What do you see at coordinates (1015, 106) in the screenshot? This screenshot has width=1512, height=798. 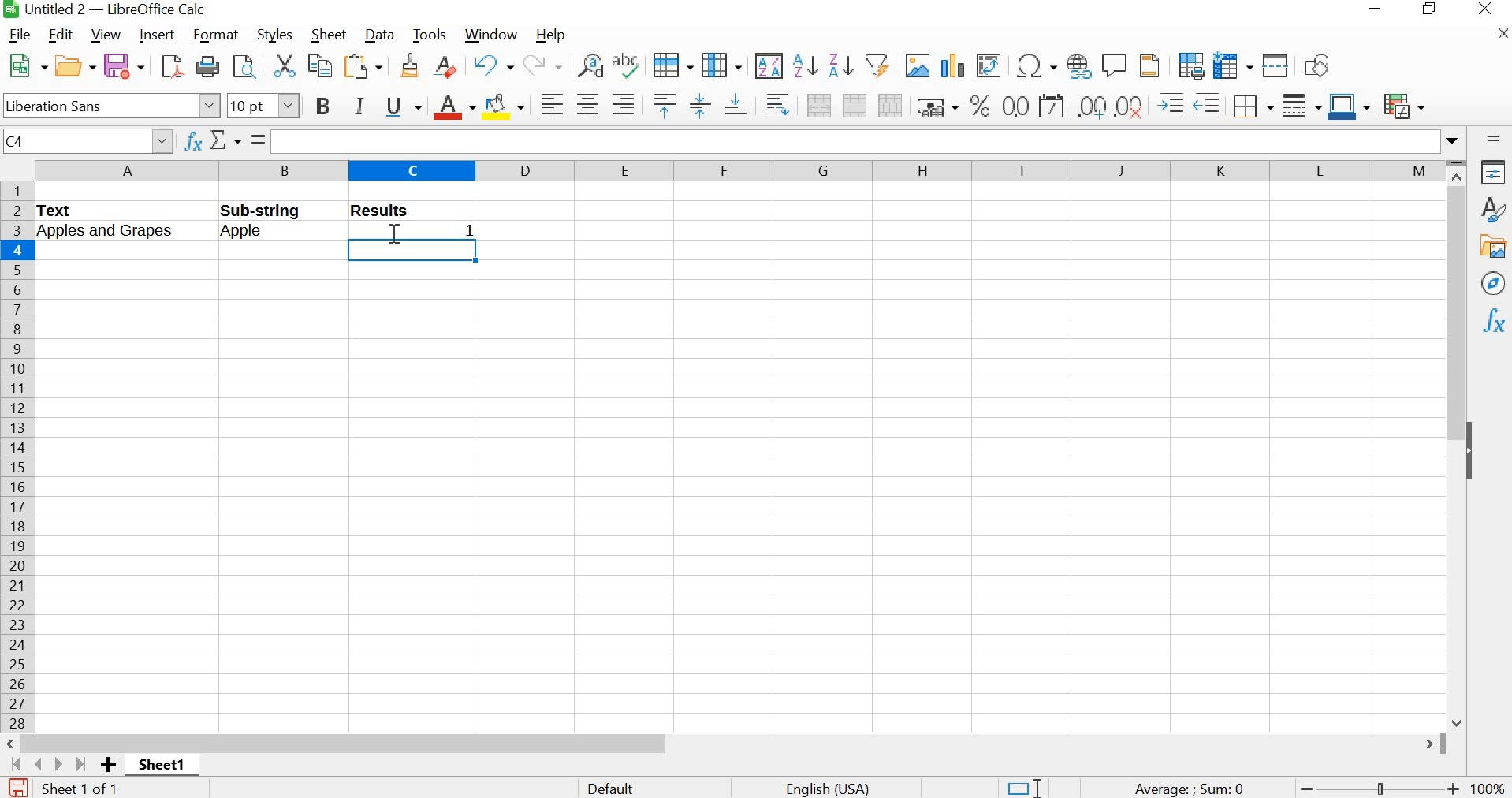 I see `format as number` at bounding box center [1015, 106].